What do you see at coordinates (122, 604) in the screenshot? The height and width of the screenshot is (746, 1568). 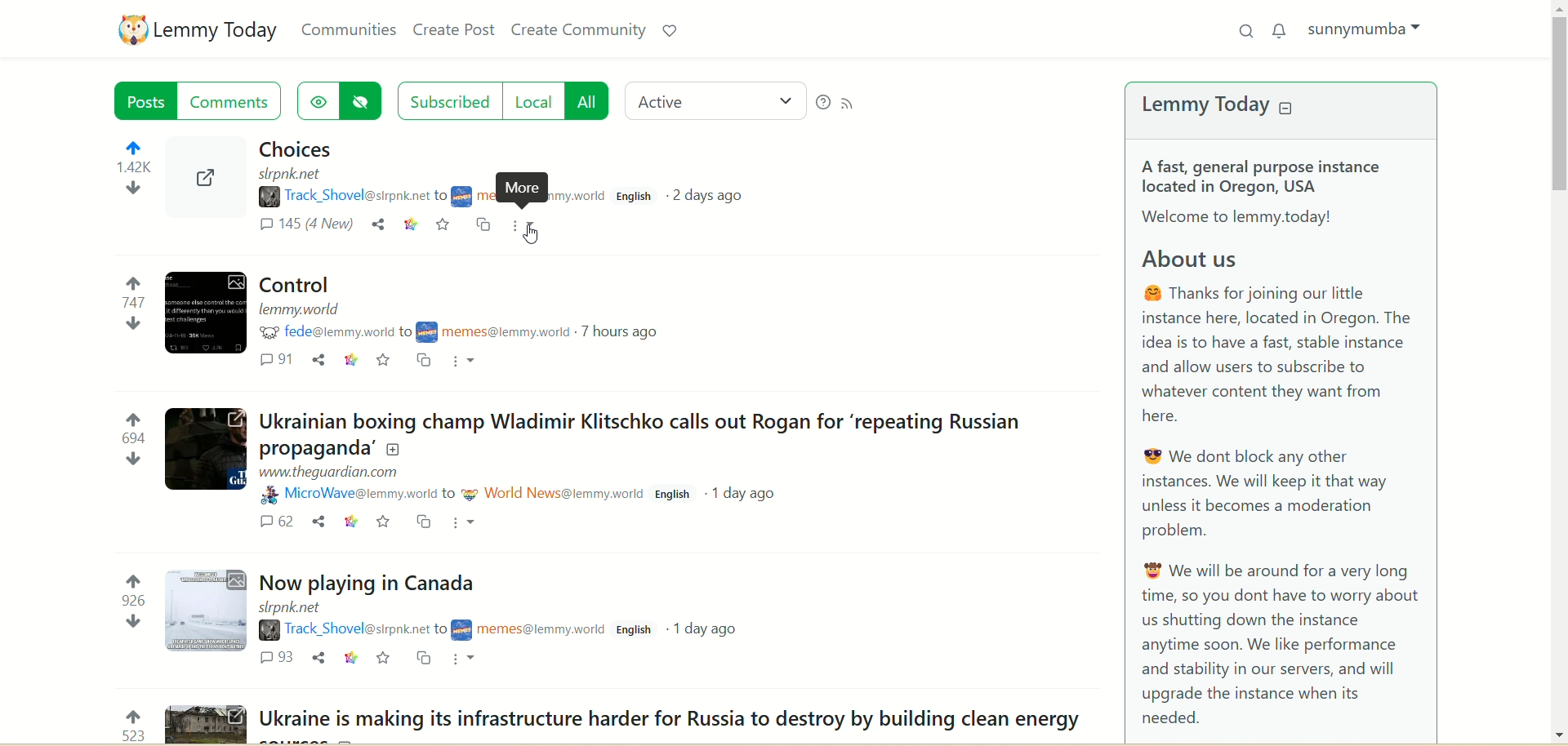 I see `votes up and down` at bounding box center [122, 604].